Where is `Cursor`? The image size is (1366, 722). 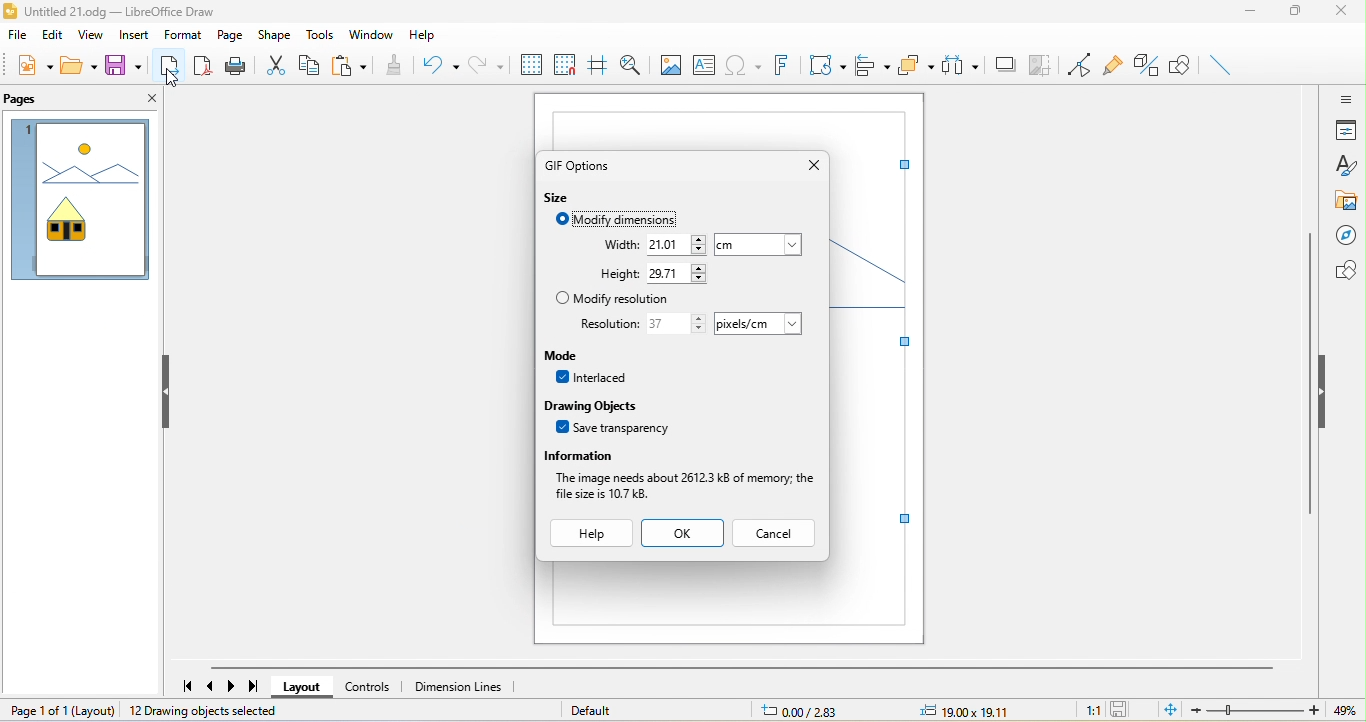
Cursor is located at coordinates (172, 79).